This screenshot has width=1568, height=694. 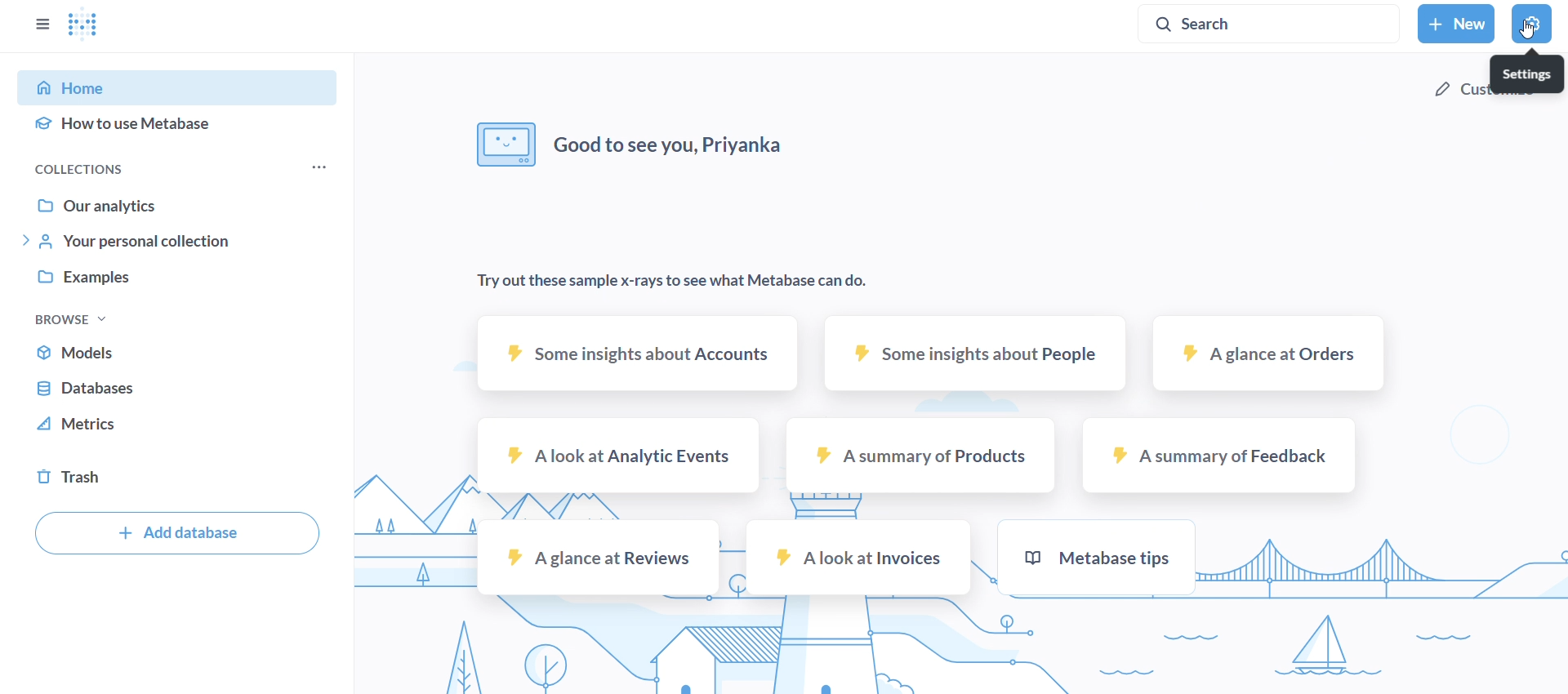 I want to click on metrics, so click(x=176, y=429).